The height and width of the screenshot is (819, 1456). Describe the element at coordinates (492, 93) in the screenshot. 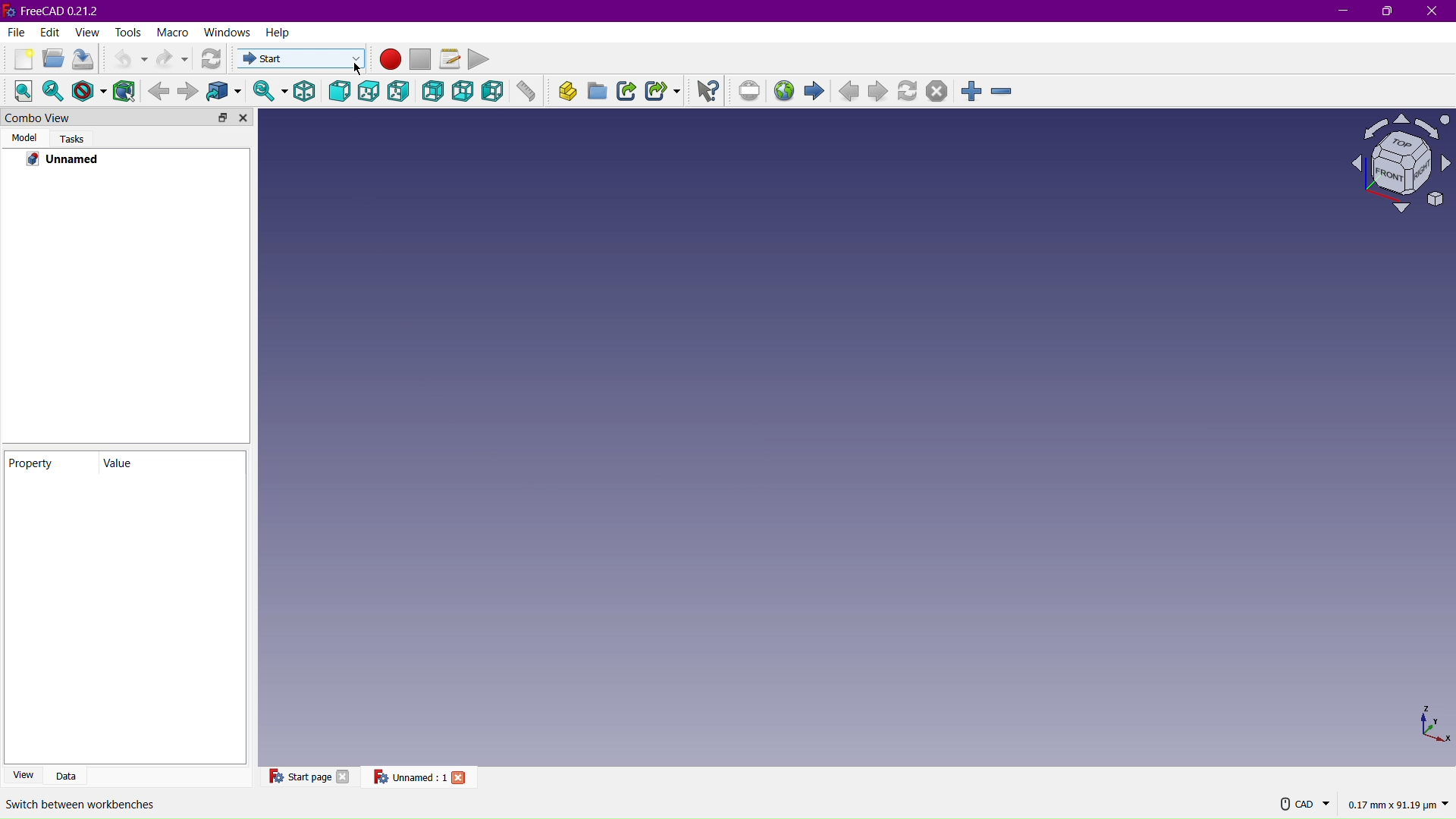

I see `Left` at that location.